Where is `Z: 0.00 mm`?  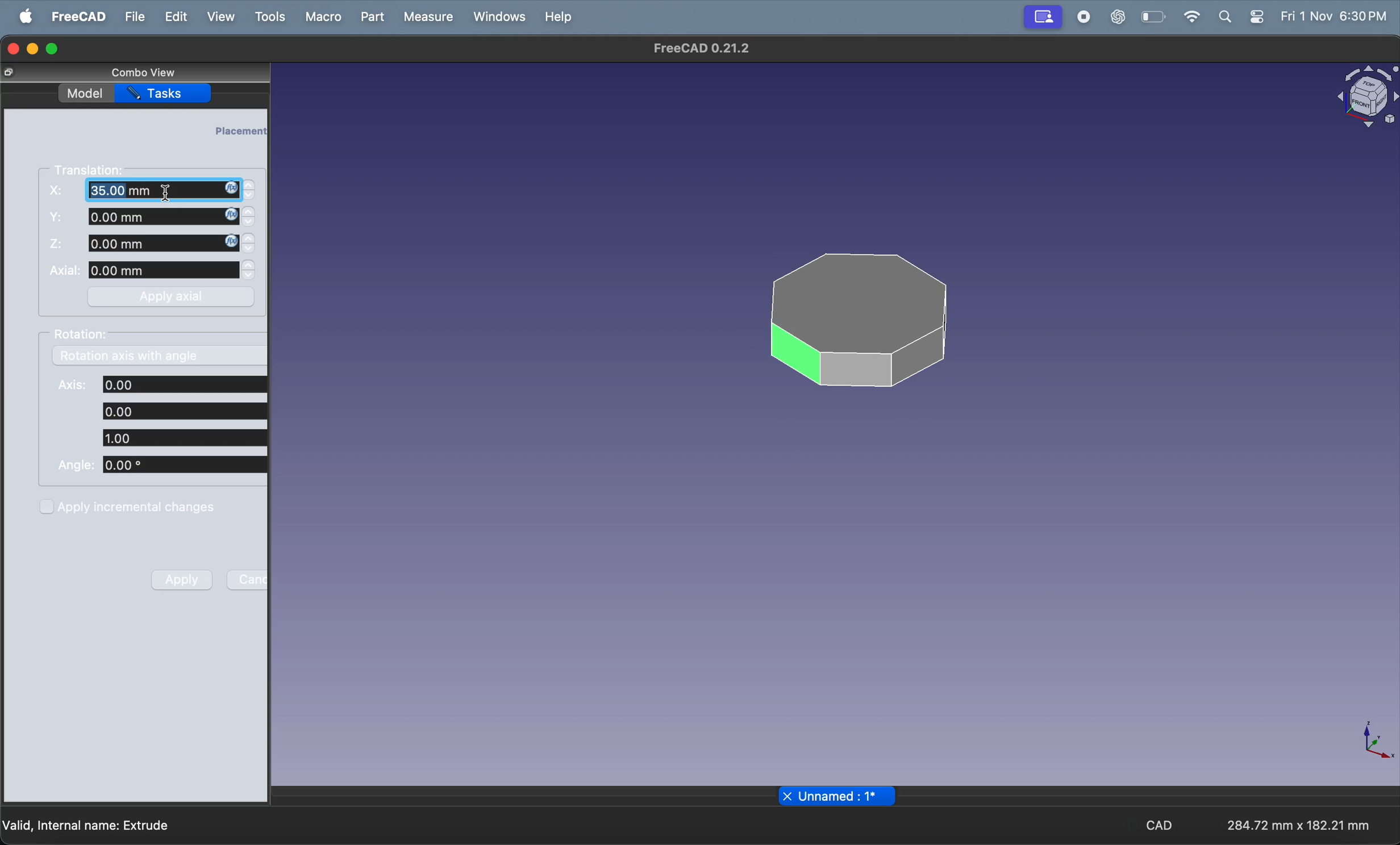
Z: 0.00 mm is located at coordinates (144, 244).